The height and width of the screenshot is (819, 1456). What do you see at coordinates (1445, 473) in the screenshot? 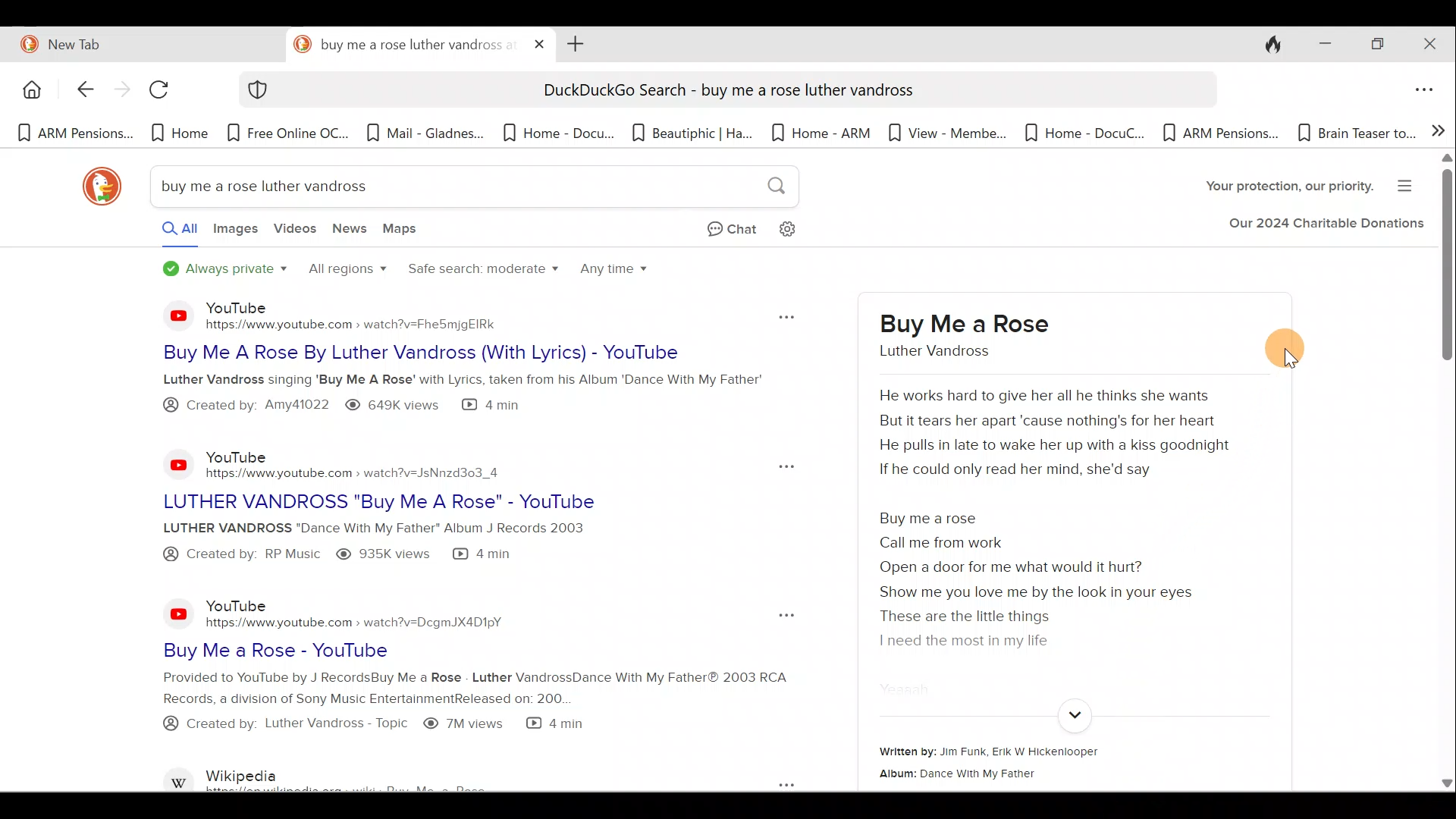
I see `Scroll bar` at bounding box center [1445, 473].